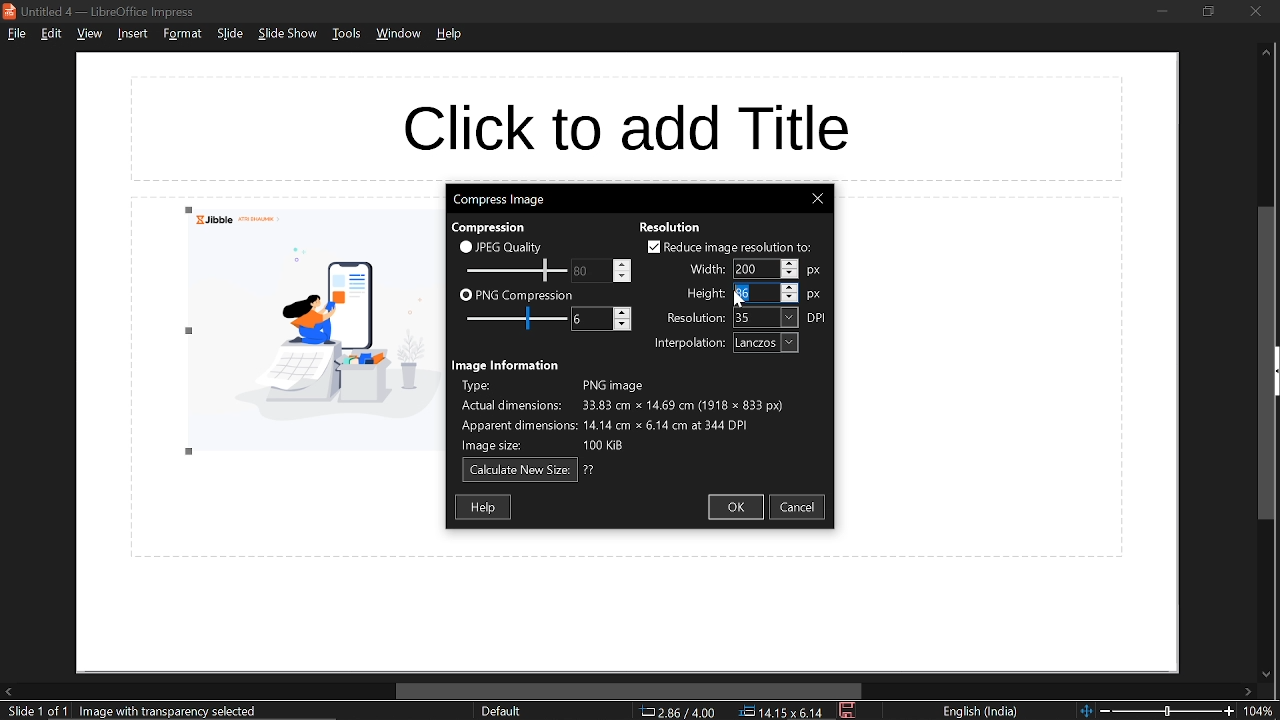  What do you see at coordinates (818, 318) in the screenshot?
I see `resolution unit: DPI` at bounding box center [818, 318].